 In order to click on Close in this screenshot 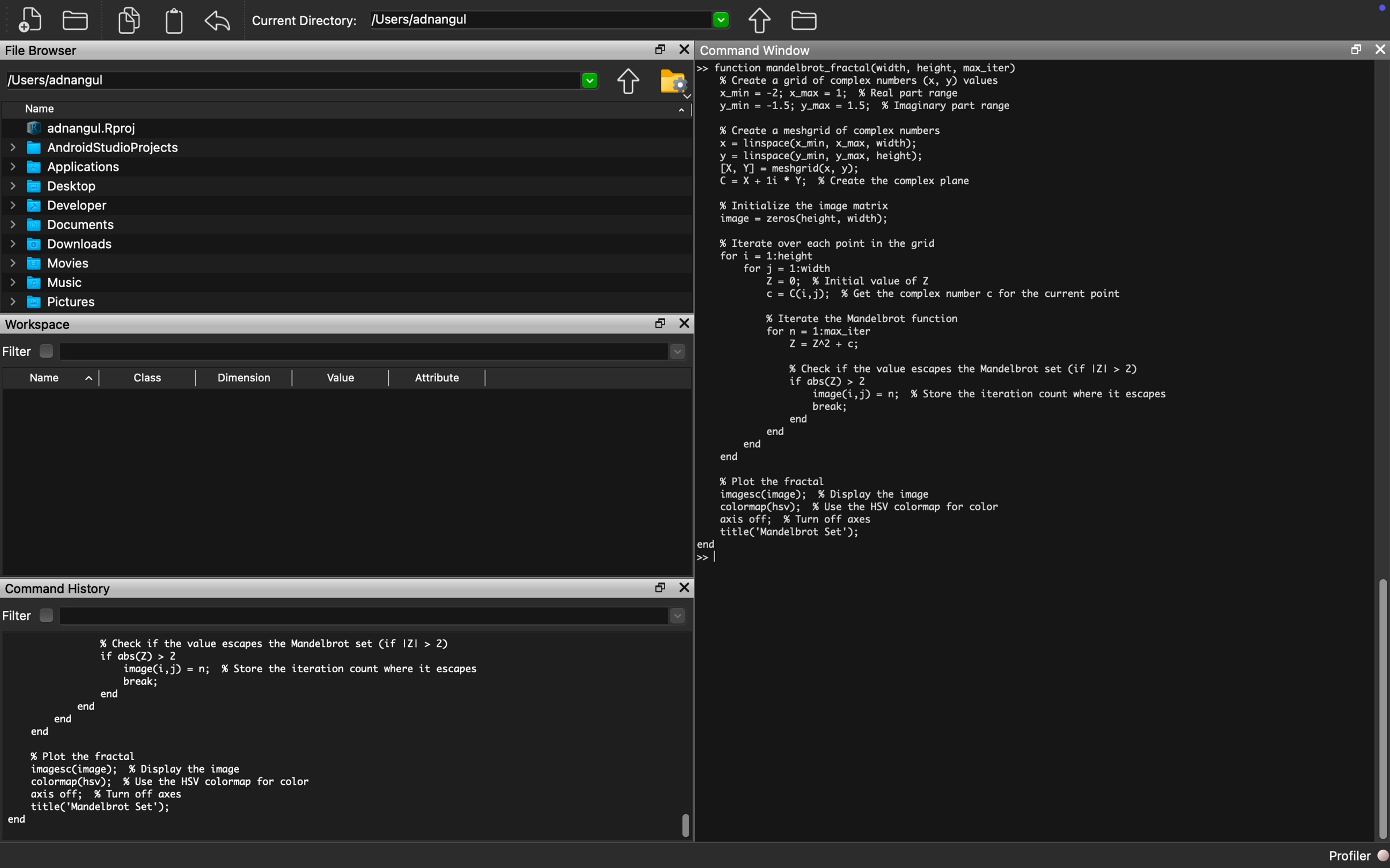, I will do `click(686, 323)`.